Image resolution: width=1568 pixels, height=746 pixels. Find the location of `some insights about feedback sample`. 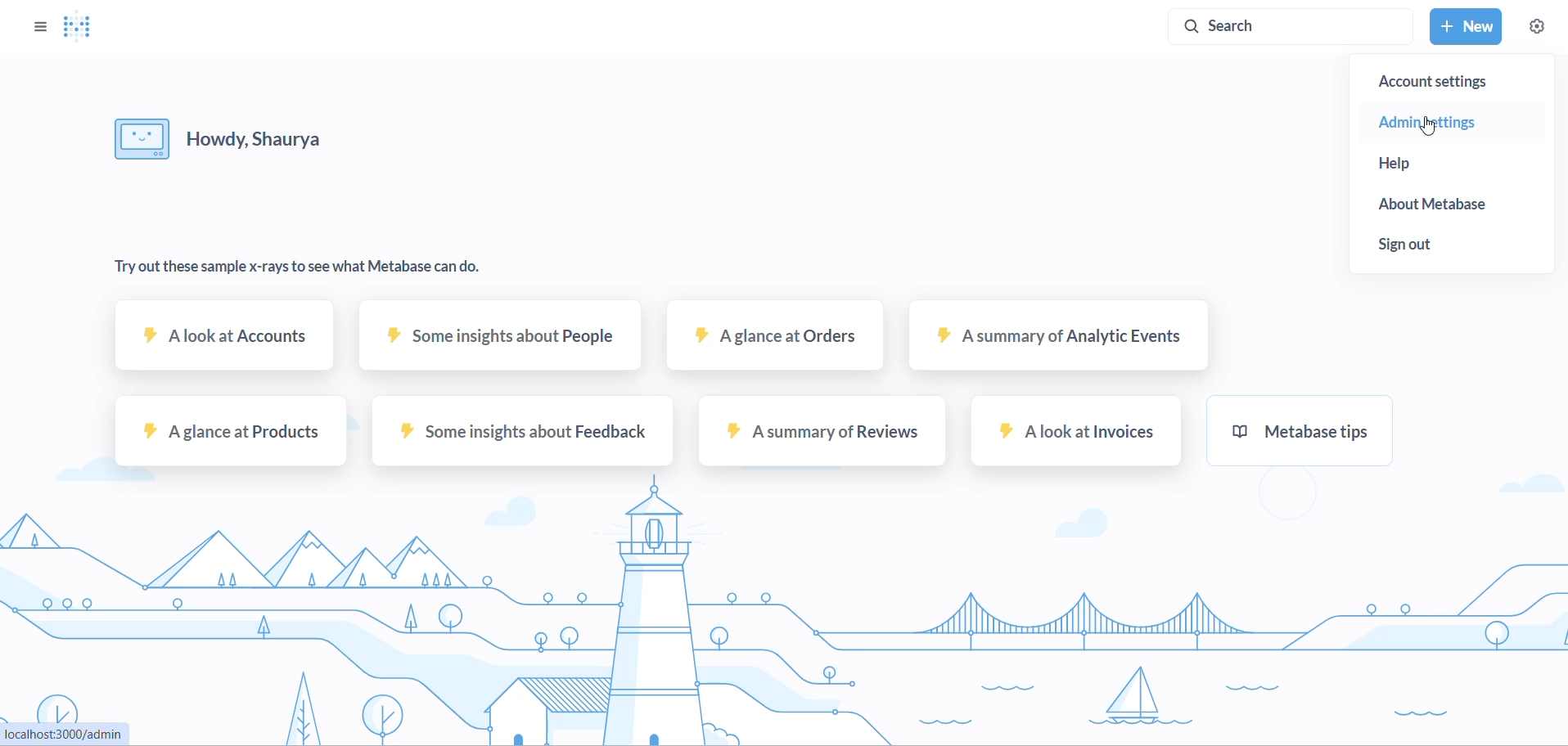

some insights about feedback sample is located at coordinates (519, 423).